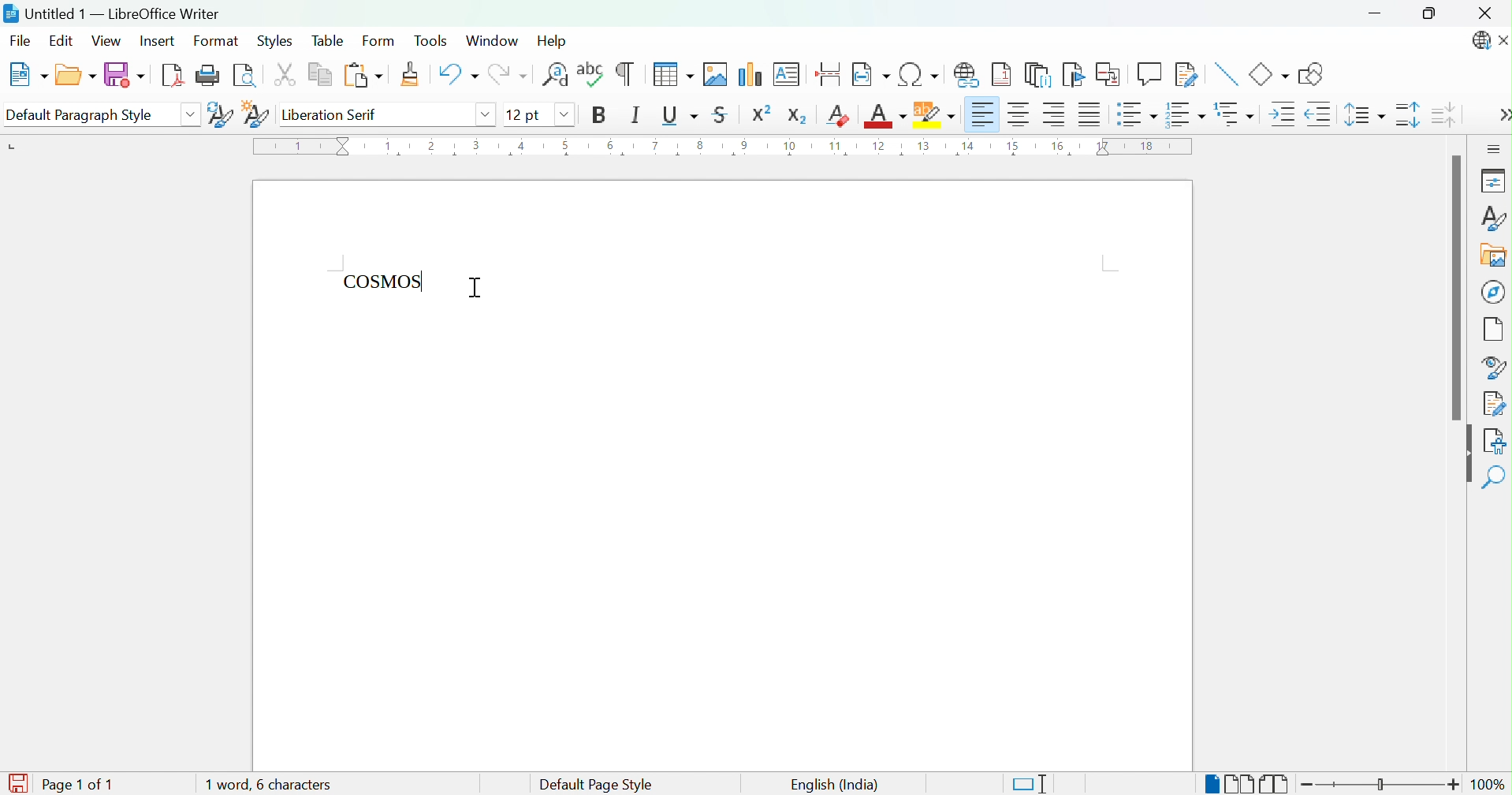  Describe the element at coordinates (124, 76) in the screenshot. I see `Save` at that location.